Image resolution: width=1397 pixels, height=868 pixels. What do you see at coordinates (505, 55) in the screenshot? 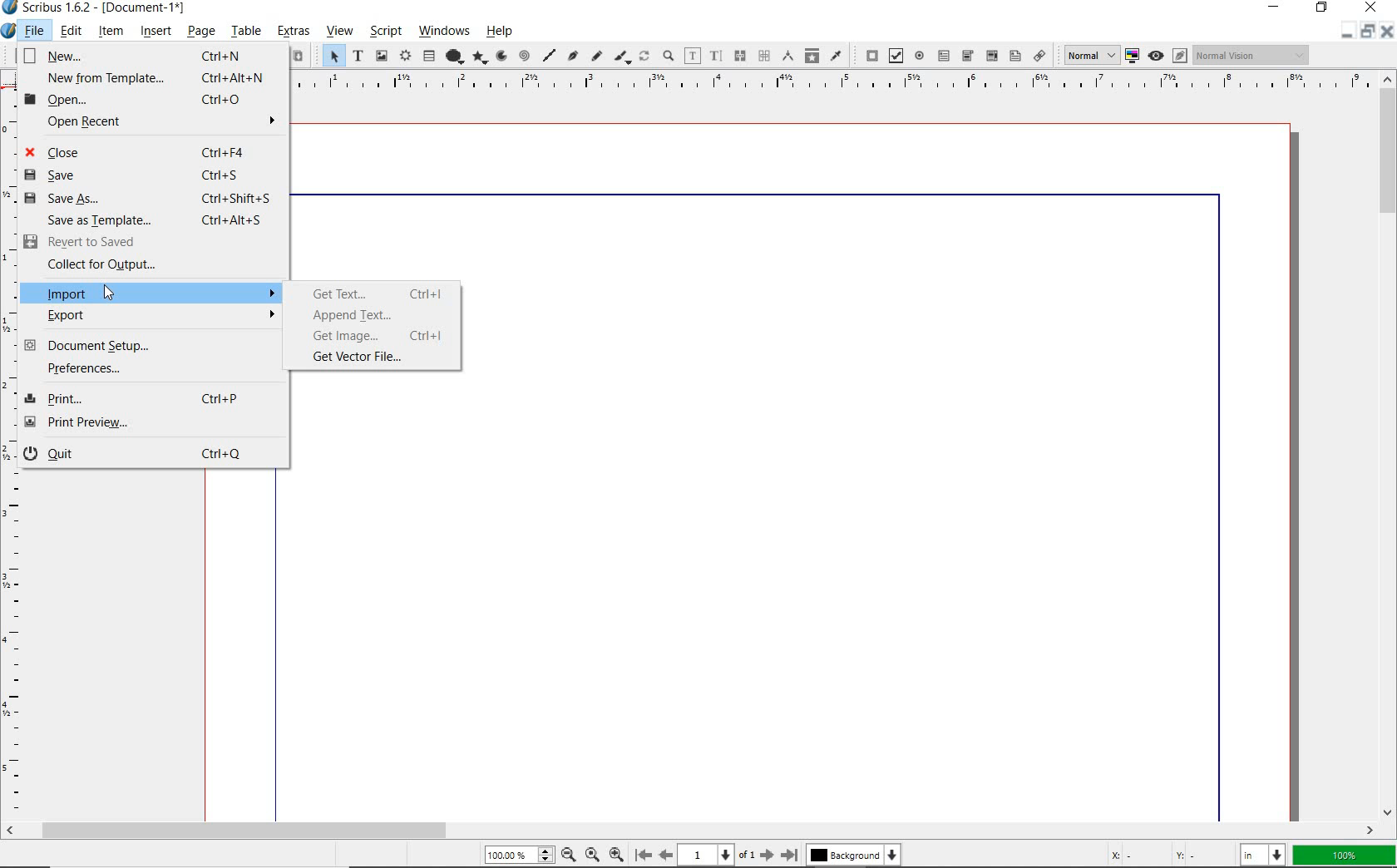
I see `arc` at bounding box center [505, 55].